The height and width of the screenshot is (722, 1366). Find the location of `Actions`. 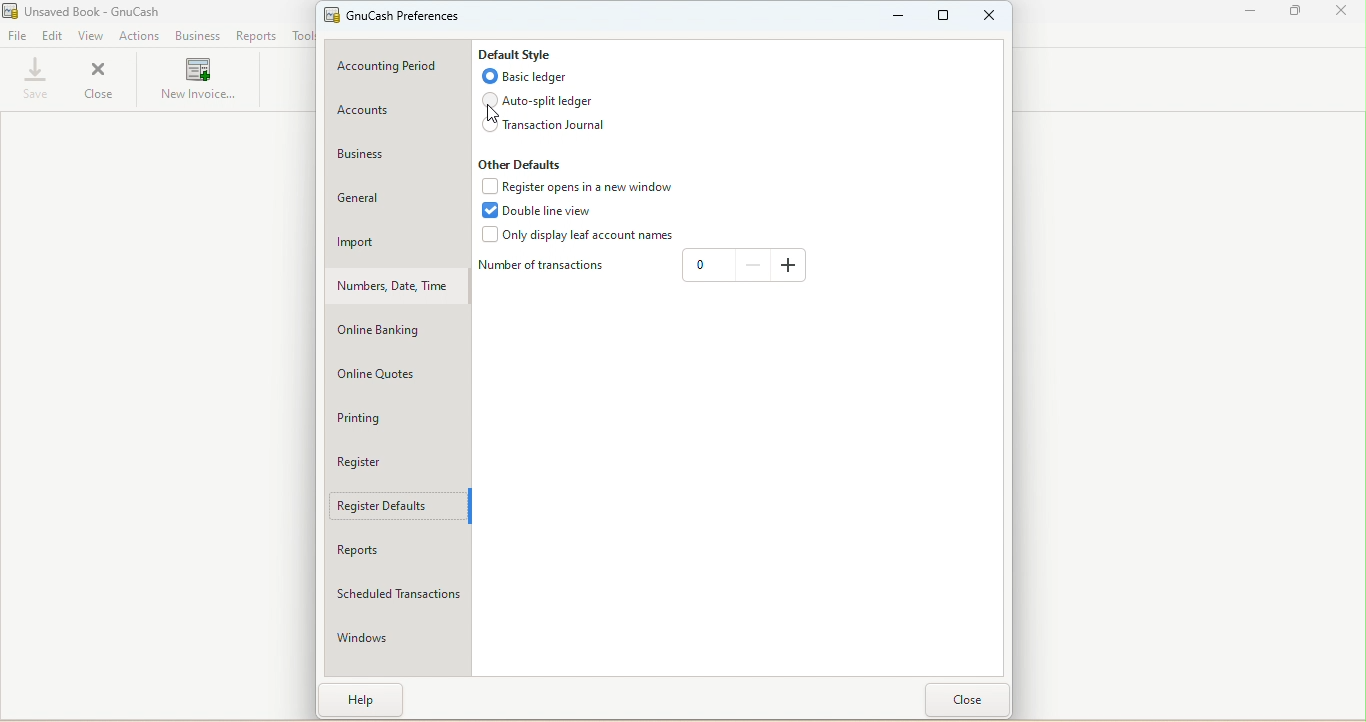

Actions is located at coordinates (140, 37).